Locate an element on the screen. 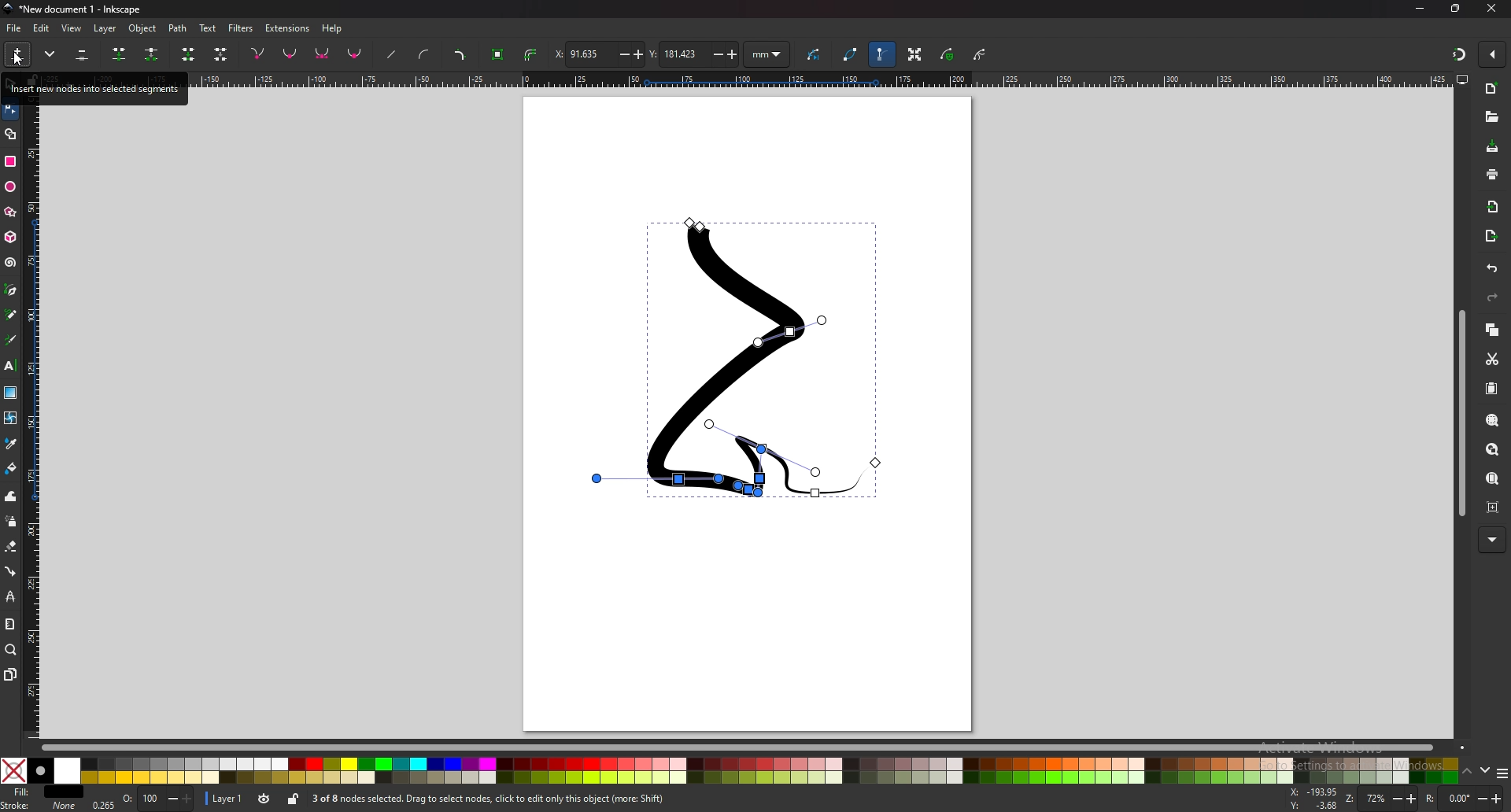 Image resolution: width=1511 pixels, height=812 pixels. add curve handles is located at coordinates (427, 54).